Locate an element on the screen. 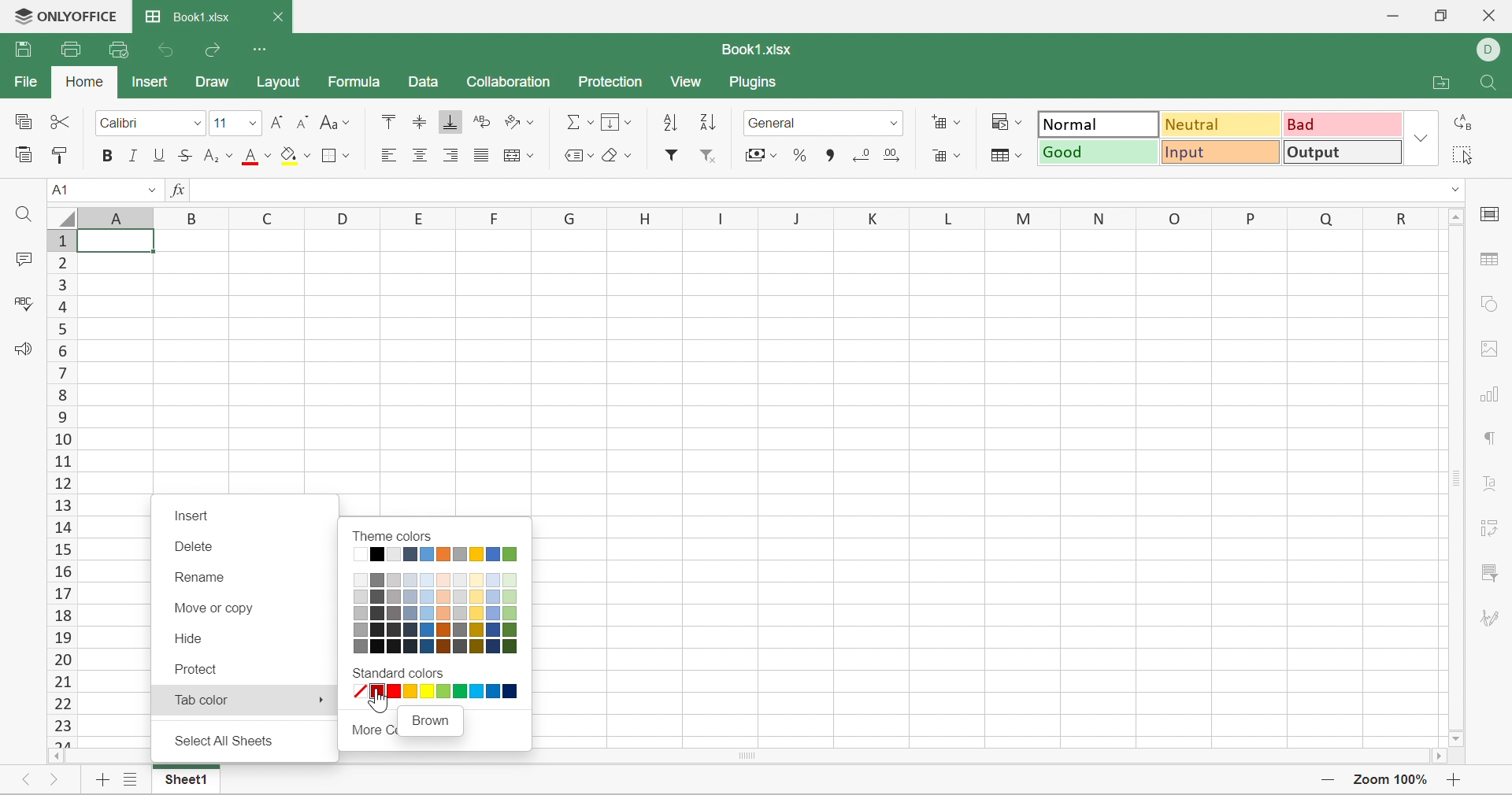 The width and height of the screenshot is (1512, 795). Tab is located at coordinates (179, 700).